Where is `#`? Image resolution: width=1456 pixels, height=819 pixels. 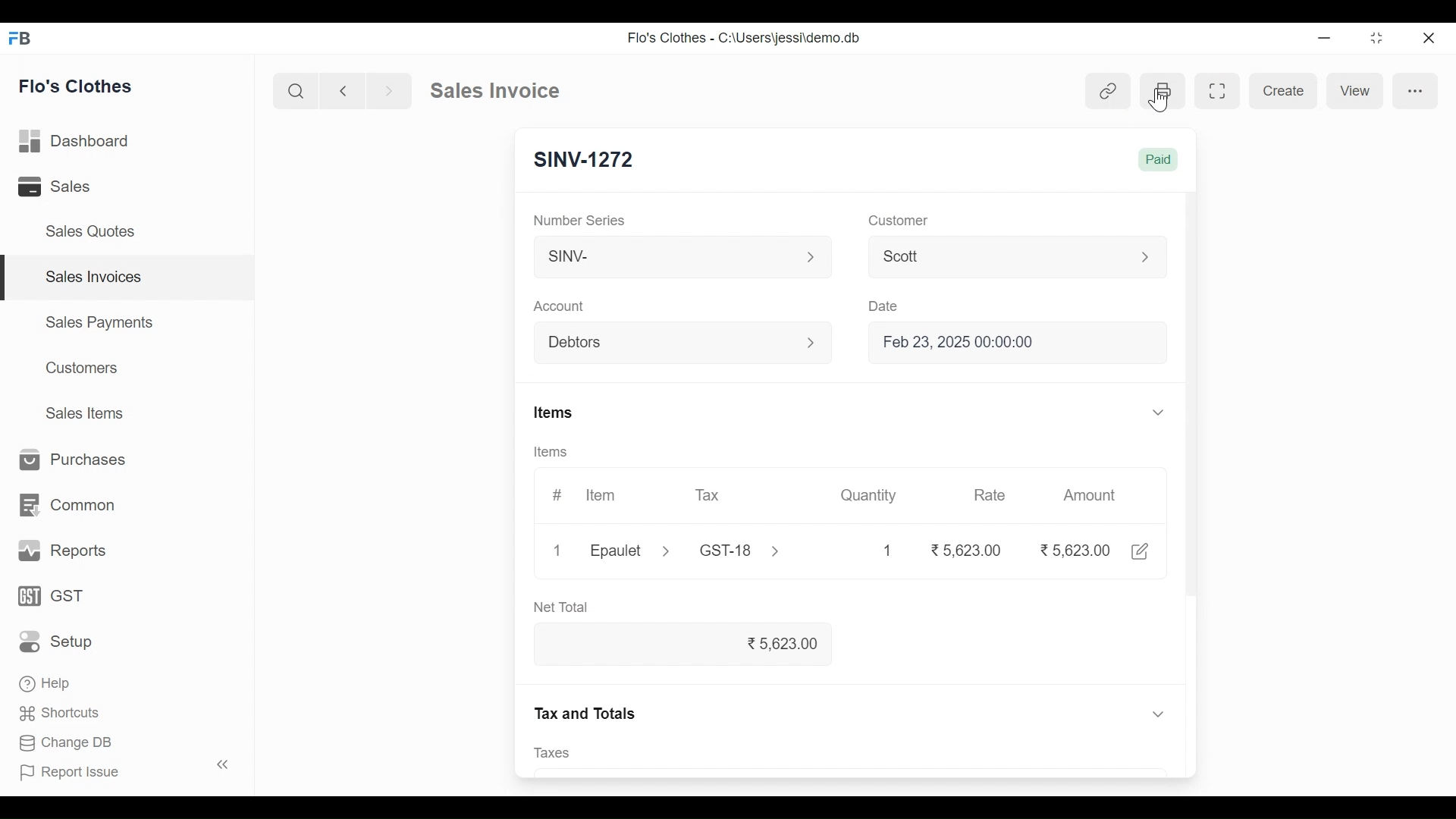 # is located at coordinates (558, 494).